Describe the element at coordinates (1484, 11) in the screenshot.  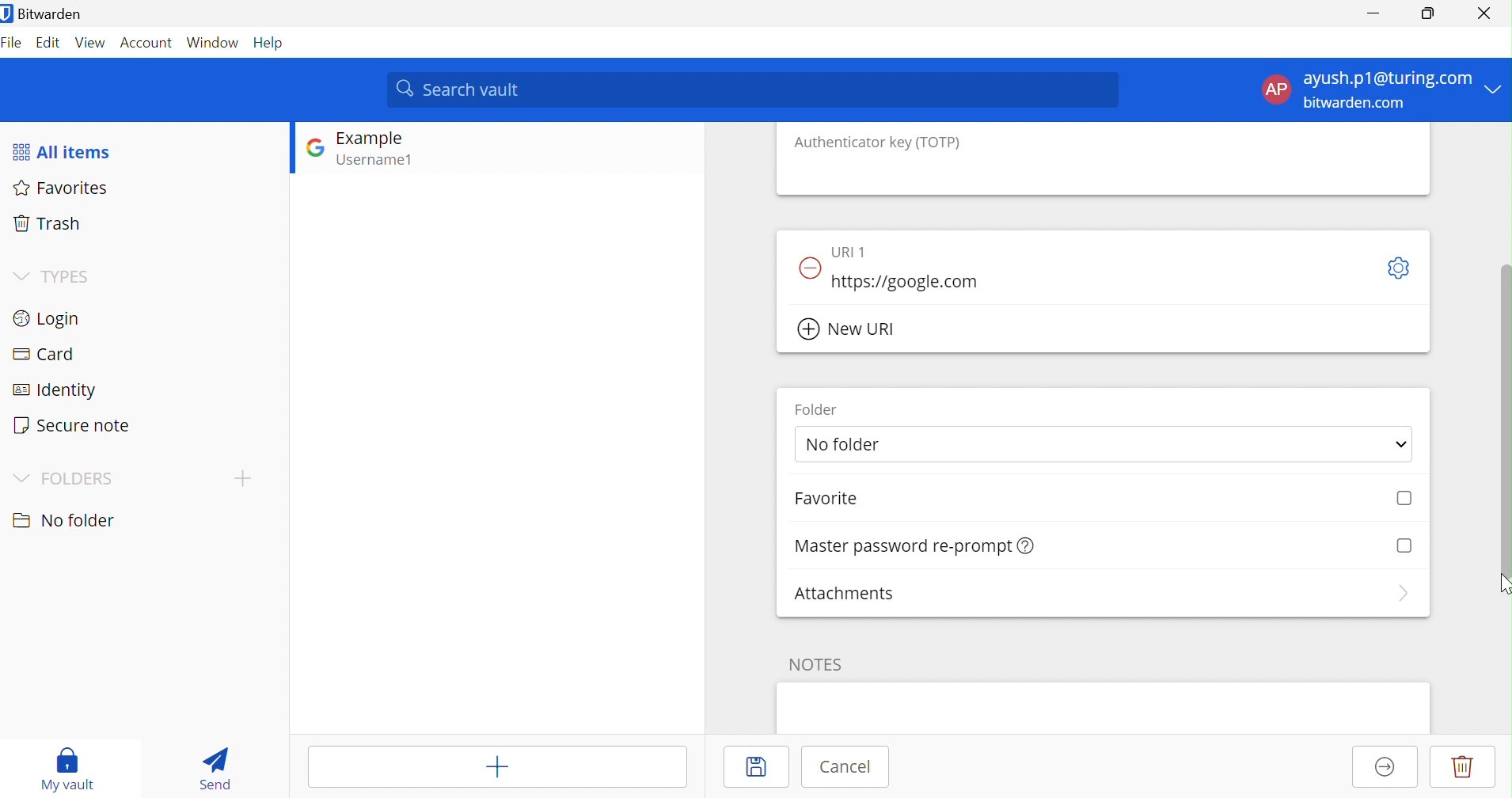
I see `Close` at that location.